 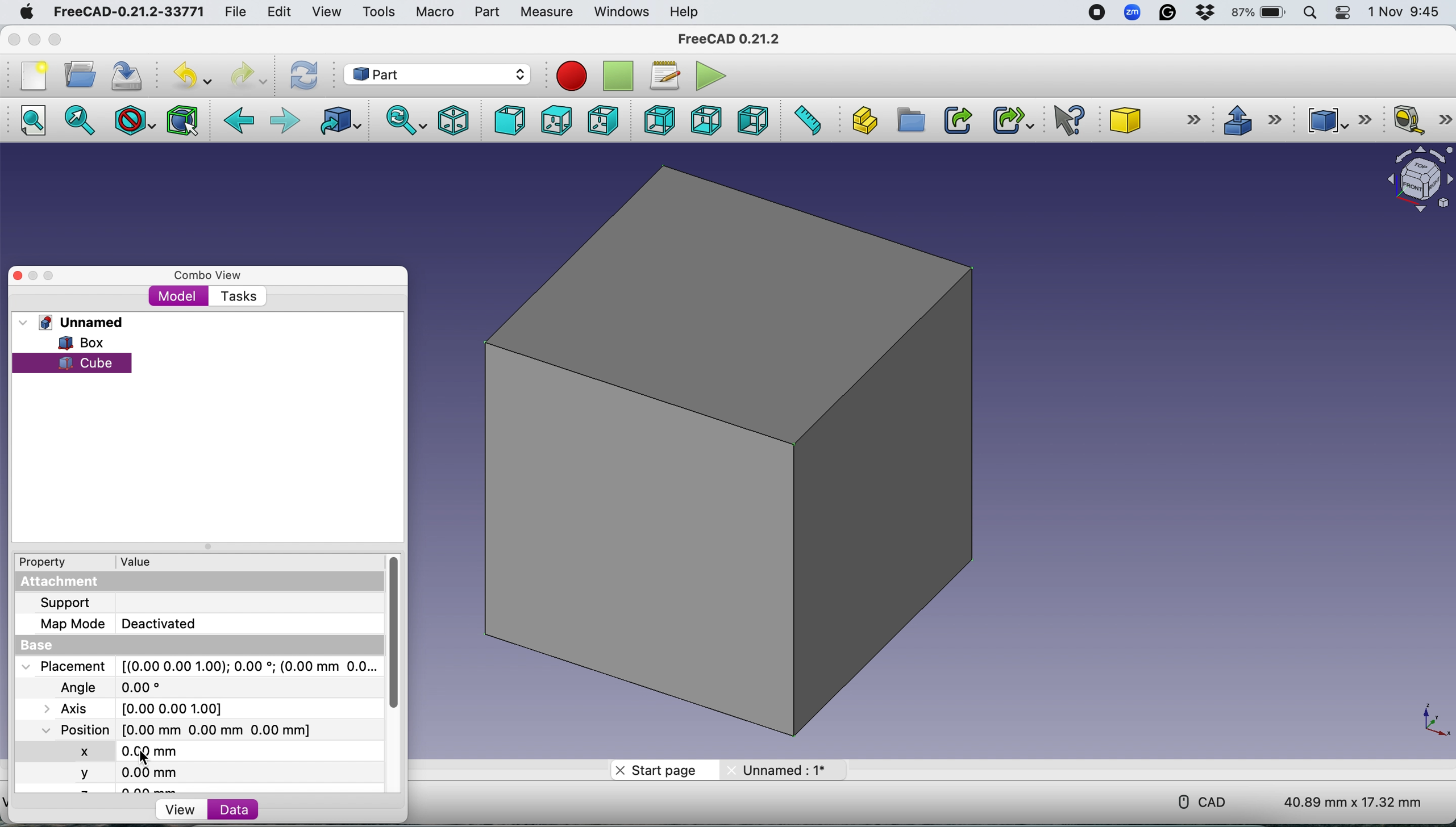 What do you see at coordinates (140, 561) in the screenshot?
I see `Value` at bounding box center [140, 561].